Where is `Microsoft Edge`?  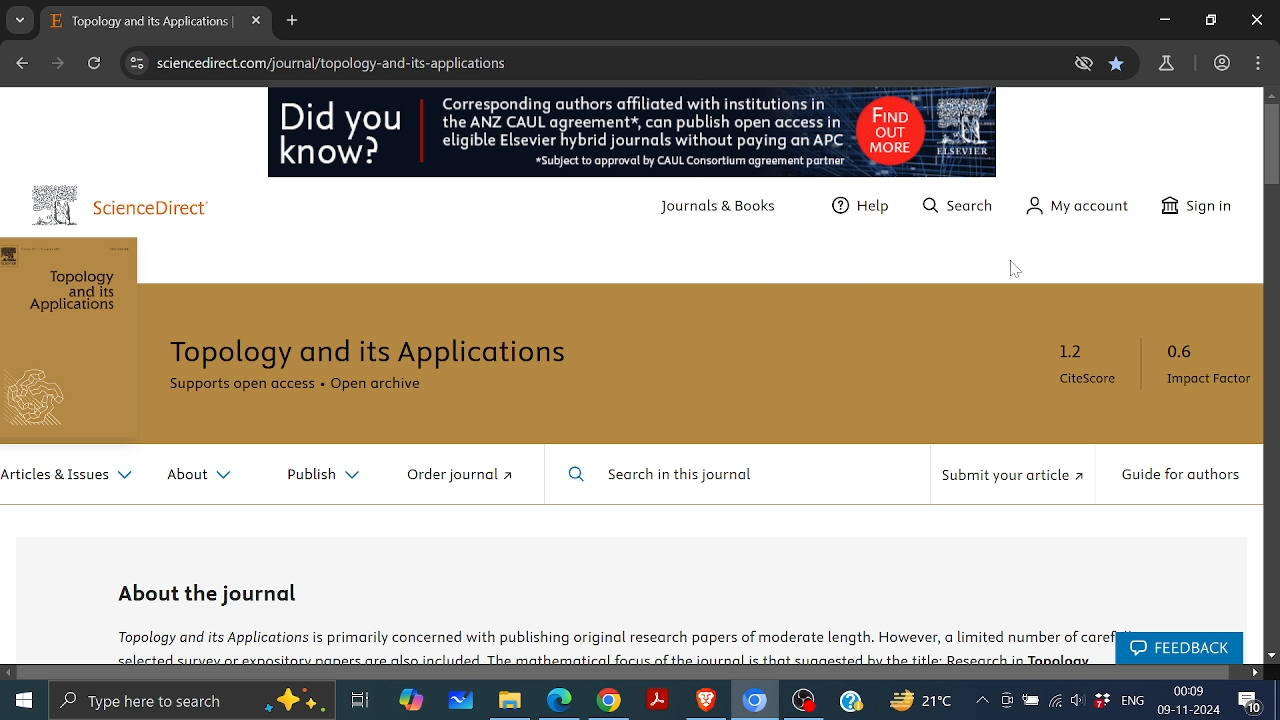
Microsoft Edge is located at coordinates (560, 700).